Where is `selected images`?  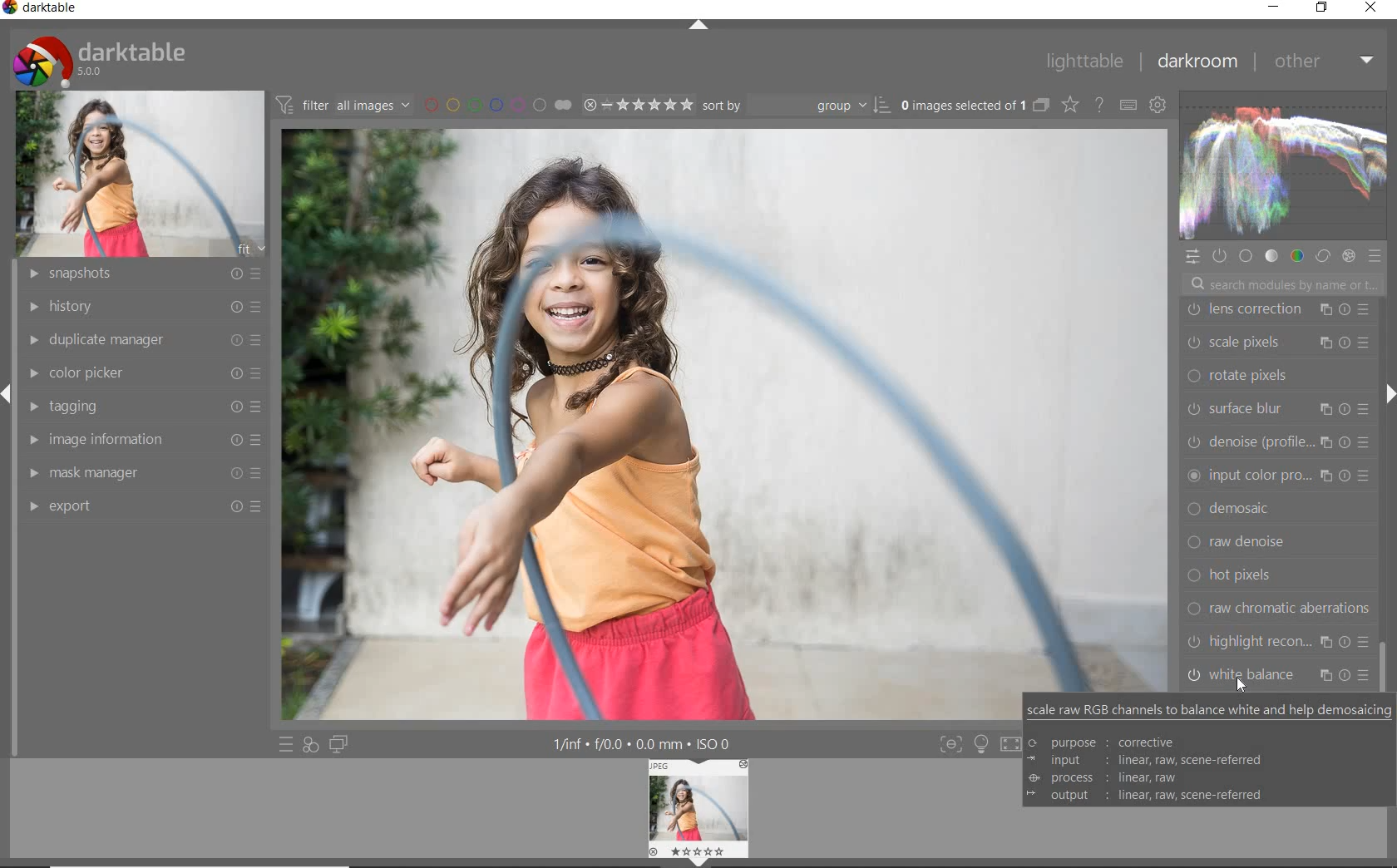 selected images is located at coordinates (961, 105).